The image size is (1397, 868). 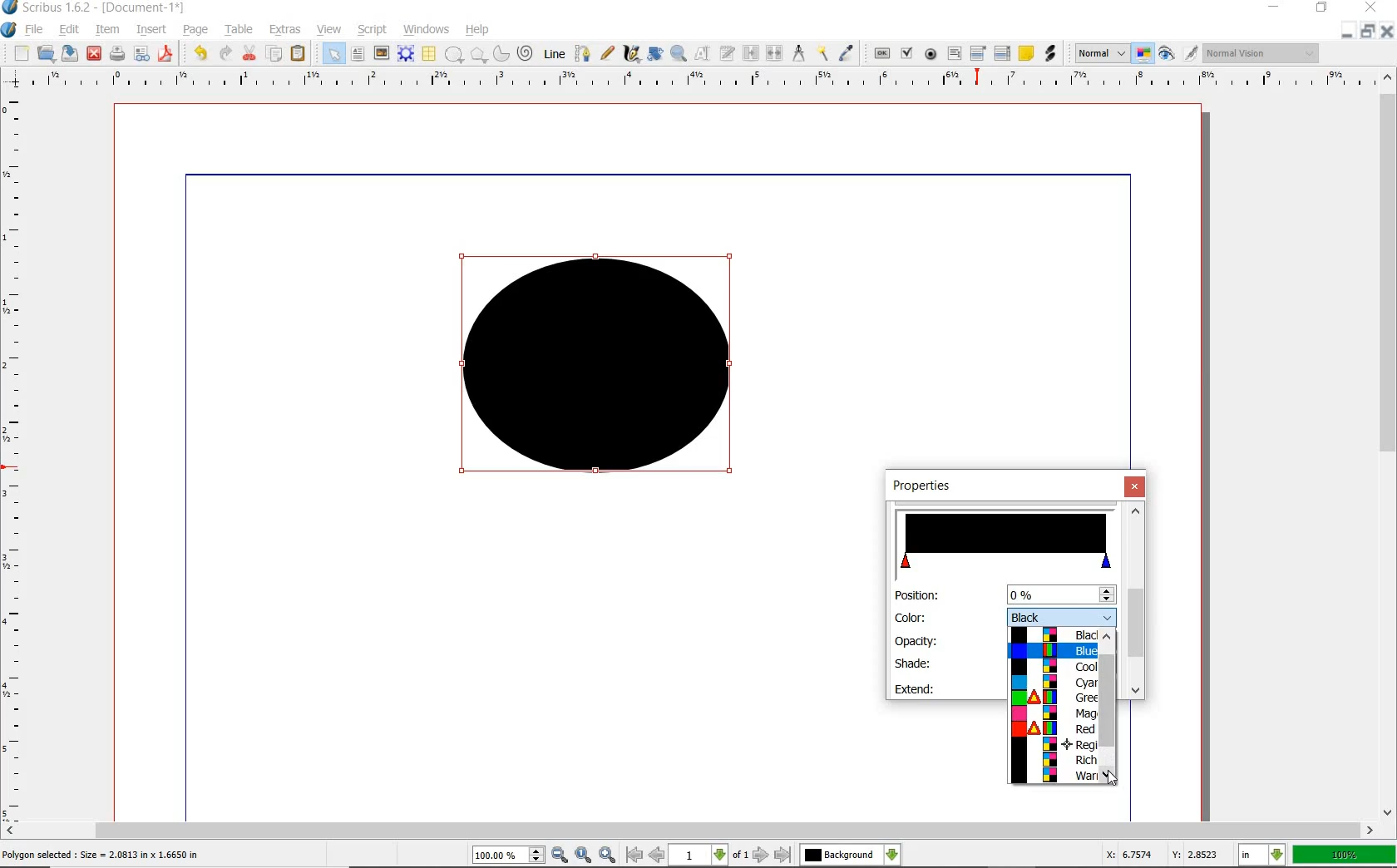 What do you see at coordinates (200, 53) in the screenshot?
I see `UNDO` at bounding box center [200, 53].